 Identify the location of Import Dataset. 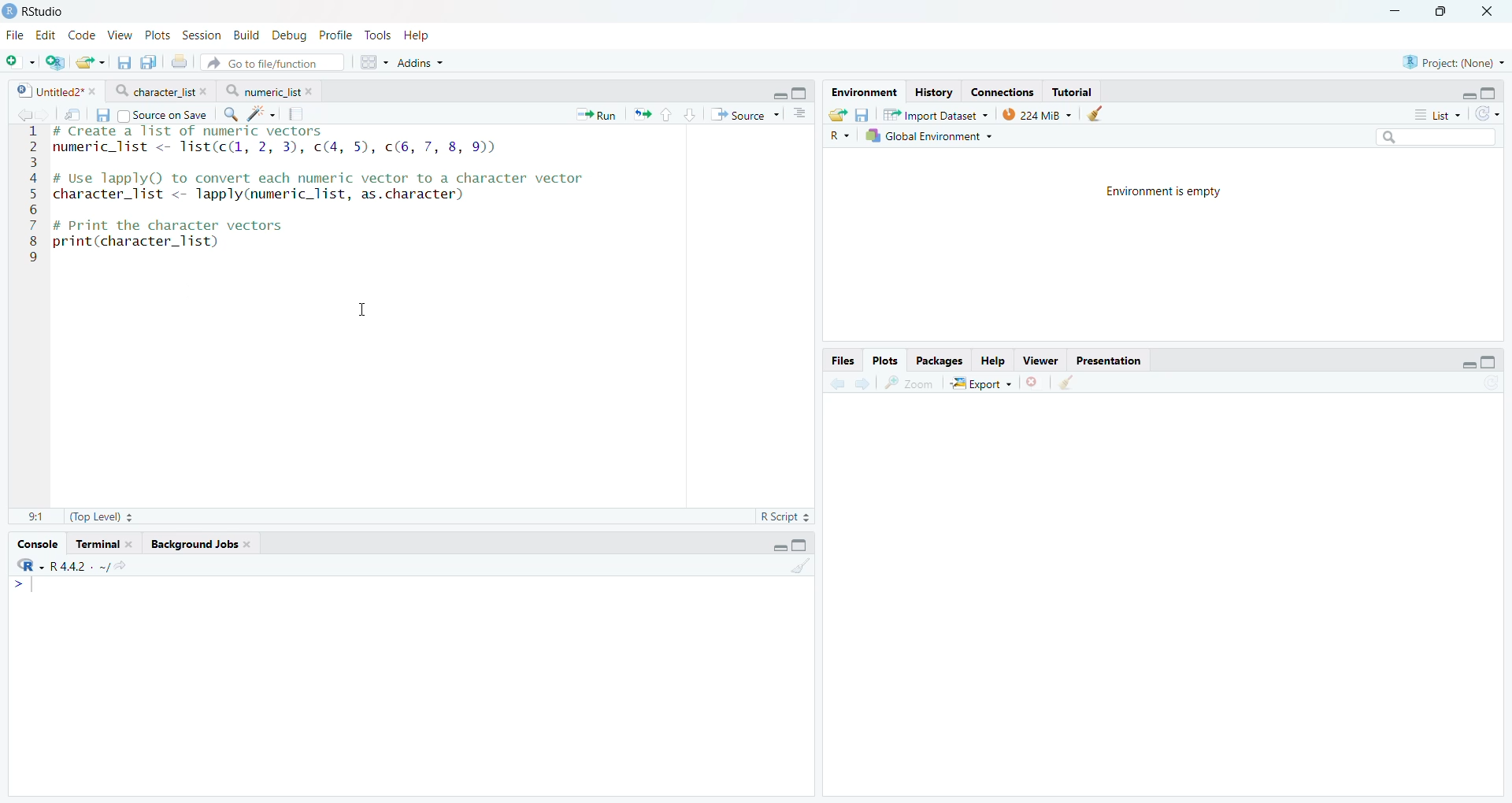
(936, 115).